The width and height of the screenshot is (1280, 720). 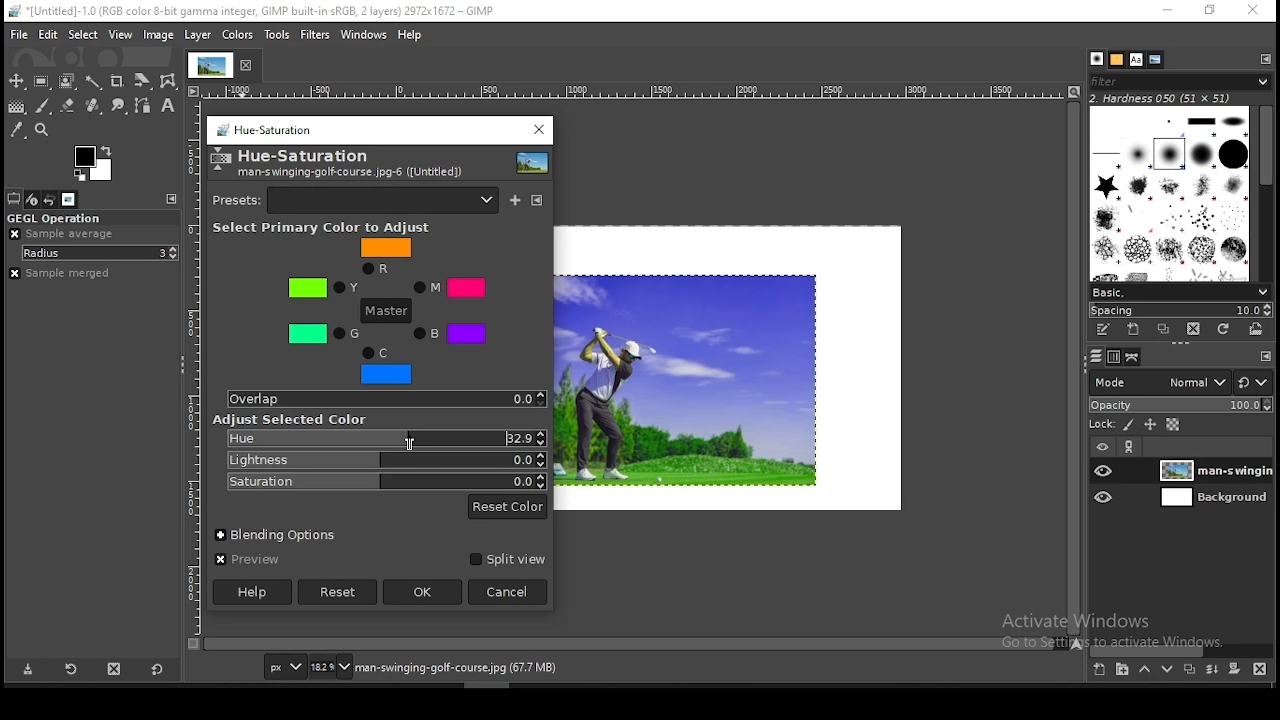 What do you see at coordinates (172, 199) in the screenshot?
I see `configure this tab` at bounding box center [172, 199].